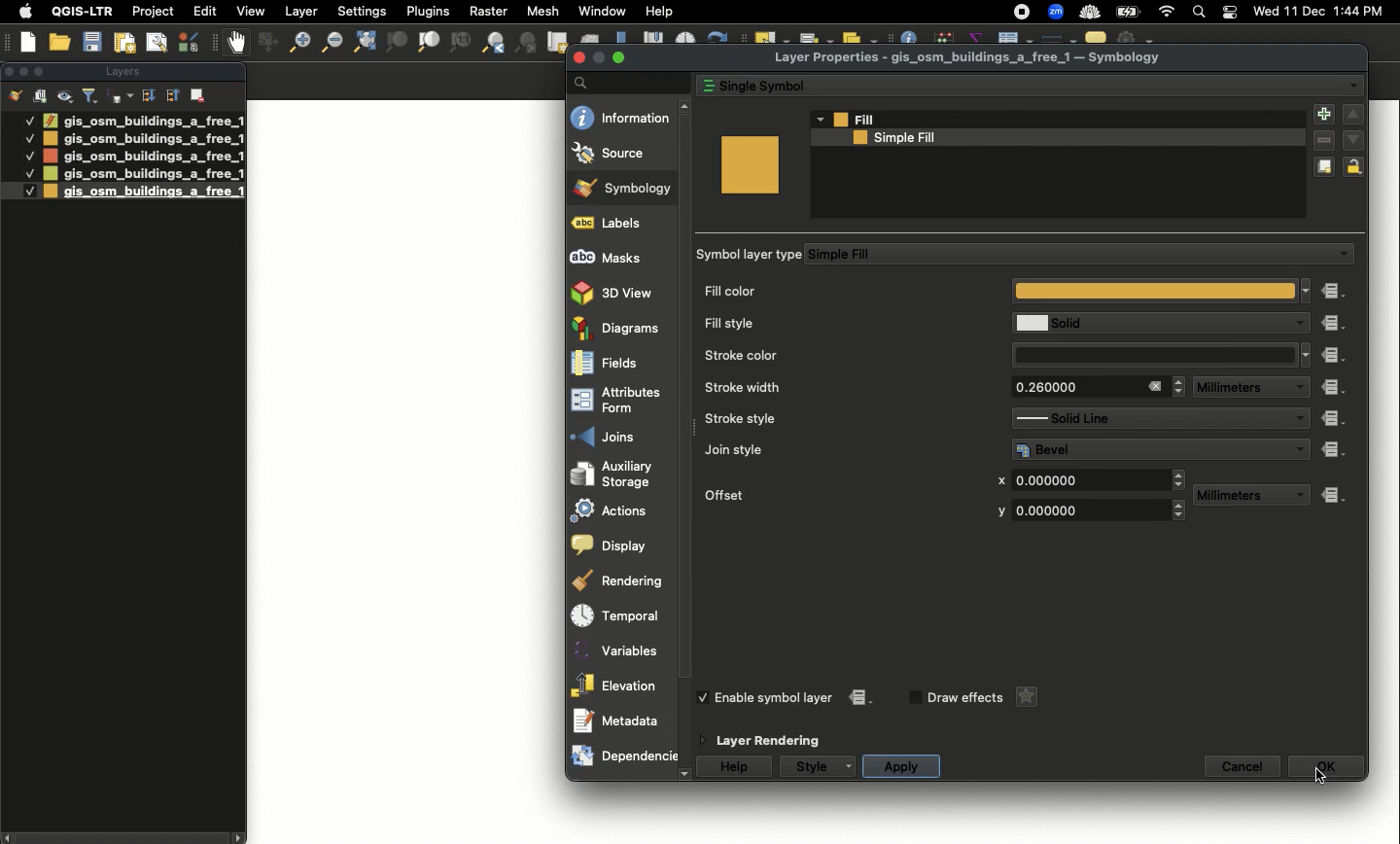  Describe the element at coordinates (142, 174) in the screenshot. I see `gis_osm_buildings_a_free_1` at that location.